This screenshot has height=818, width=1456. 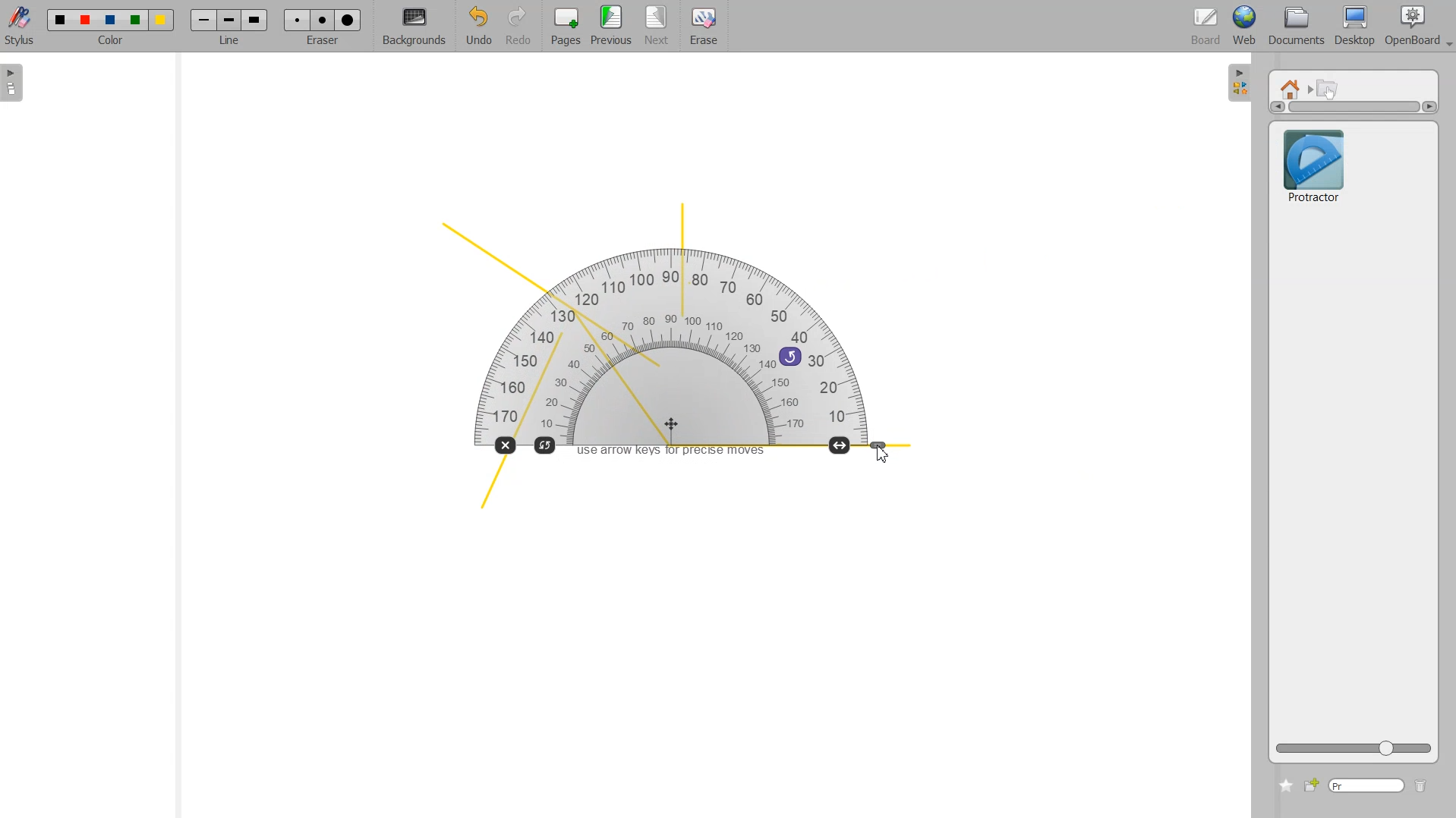 I want to click on Previous, so click(x=613, y=27).